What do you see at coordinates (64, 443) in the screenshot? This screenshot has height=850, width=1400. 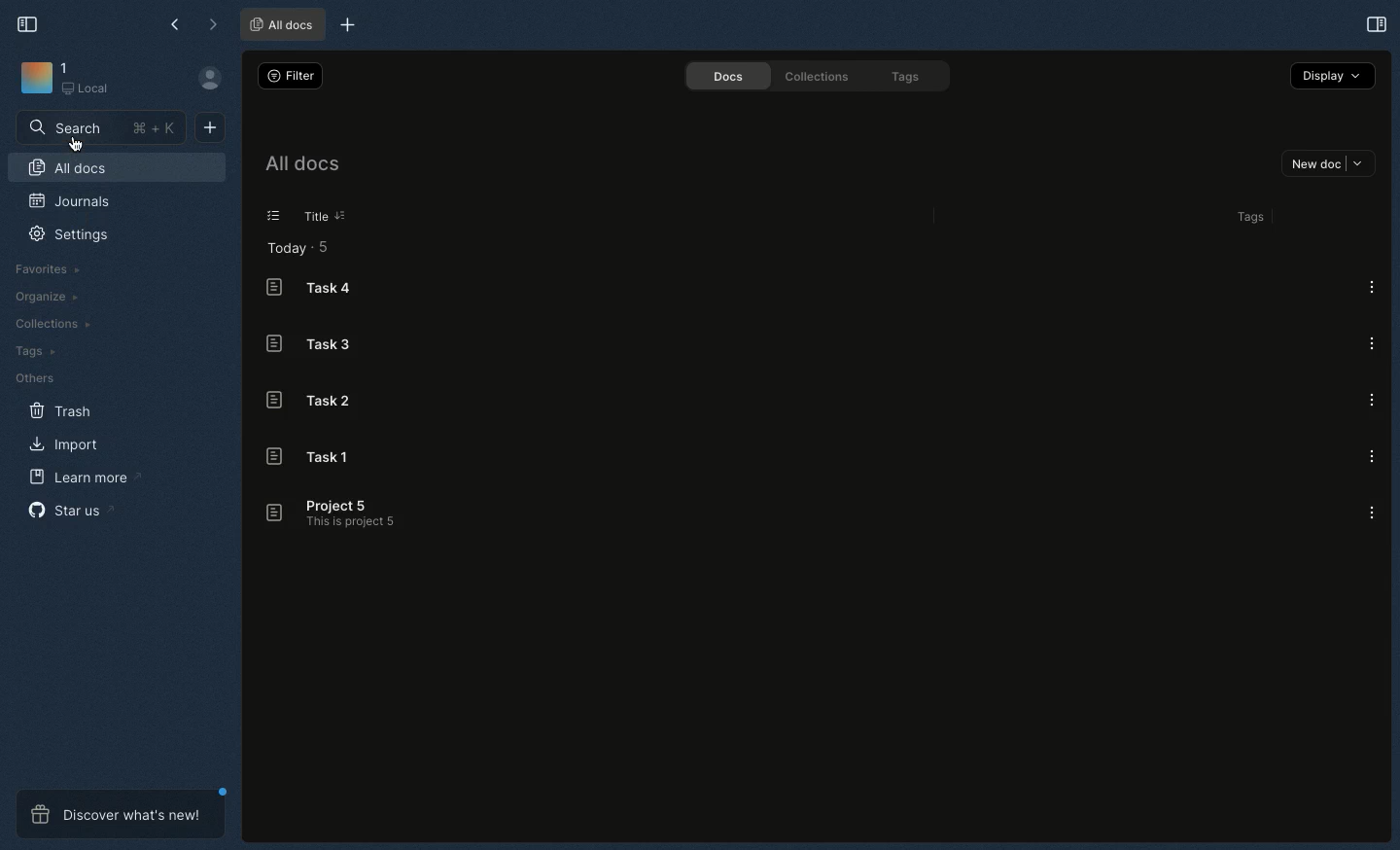 I see `Import` at bounding box center [64, 443].